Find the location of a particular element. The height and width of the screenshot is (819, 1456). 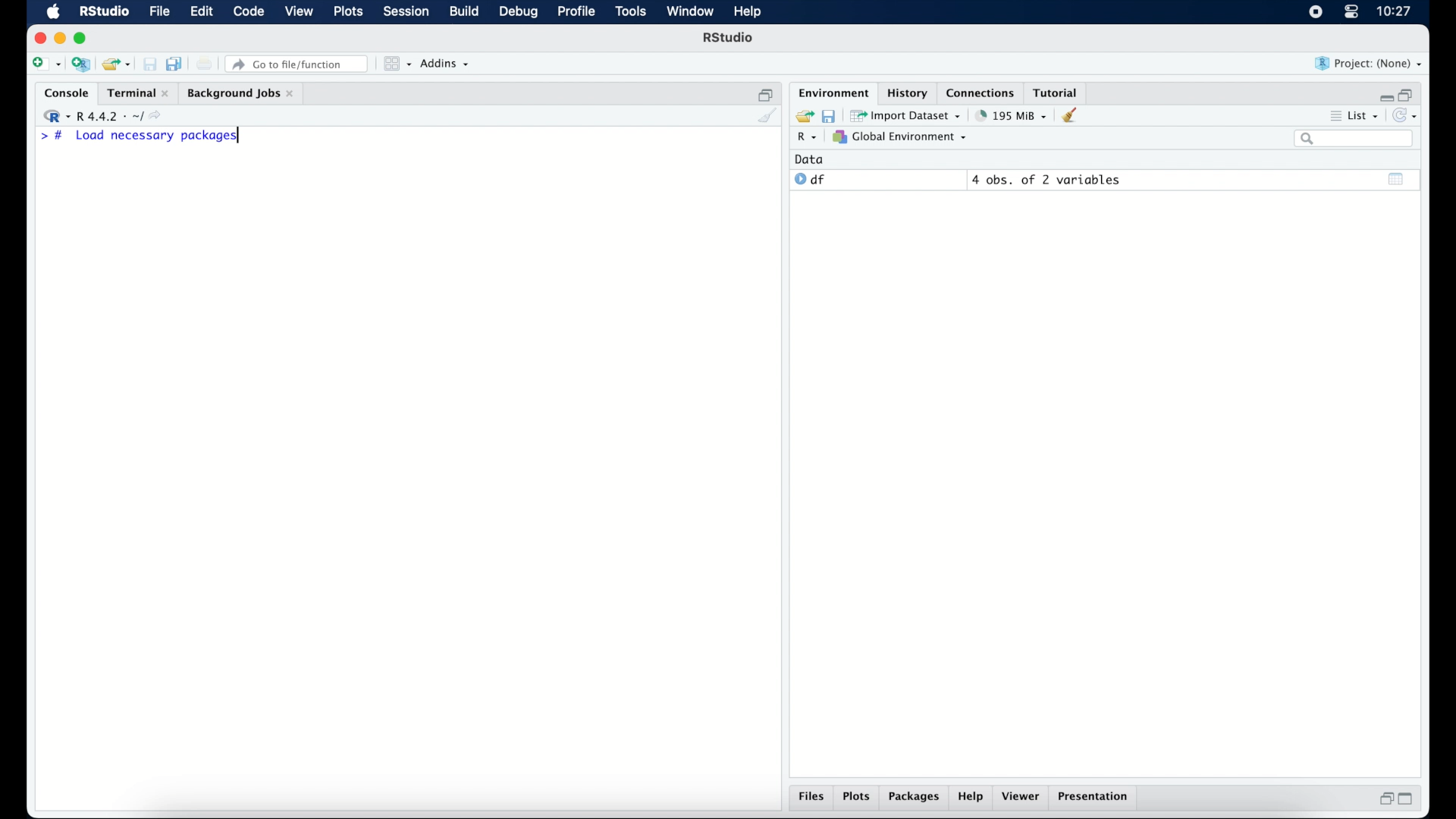

R Studio is located at coordinates (730, 39).